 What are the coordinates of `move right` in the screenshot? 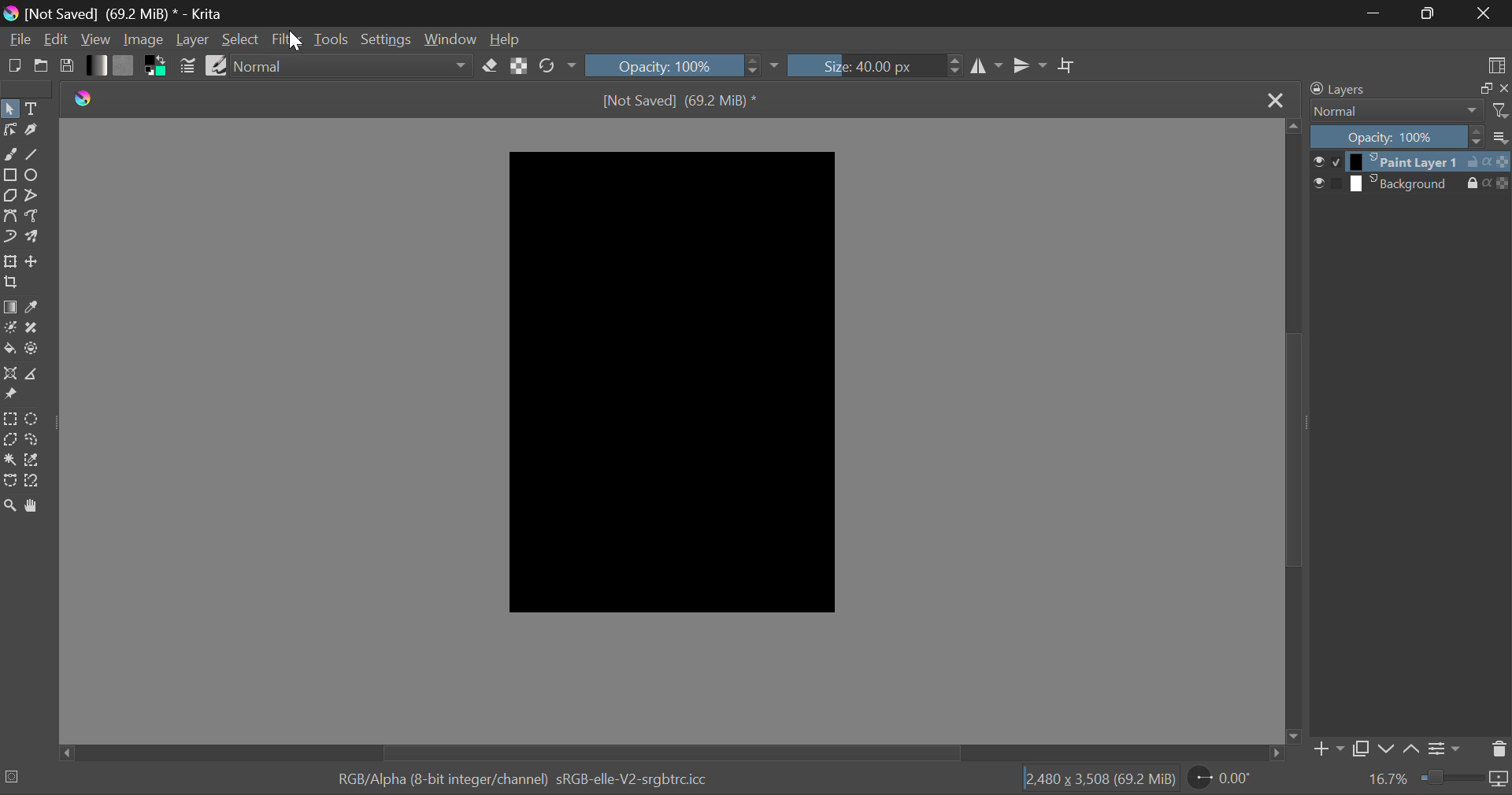 It's located at (1275, 753).